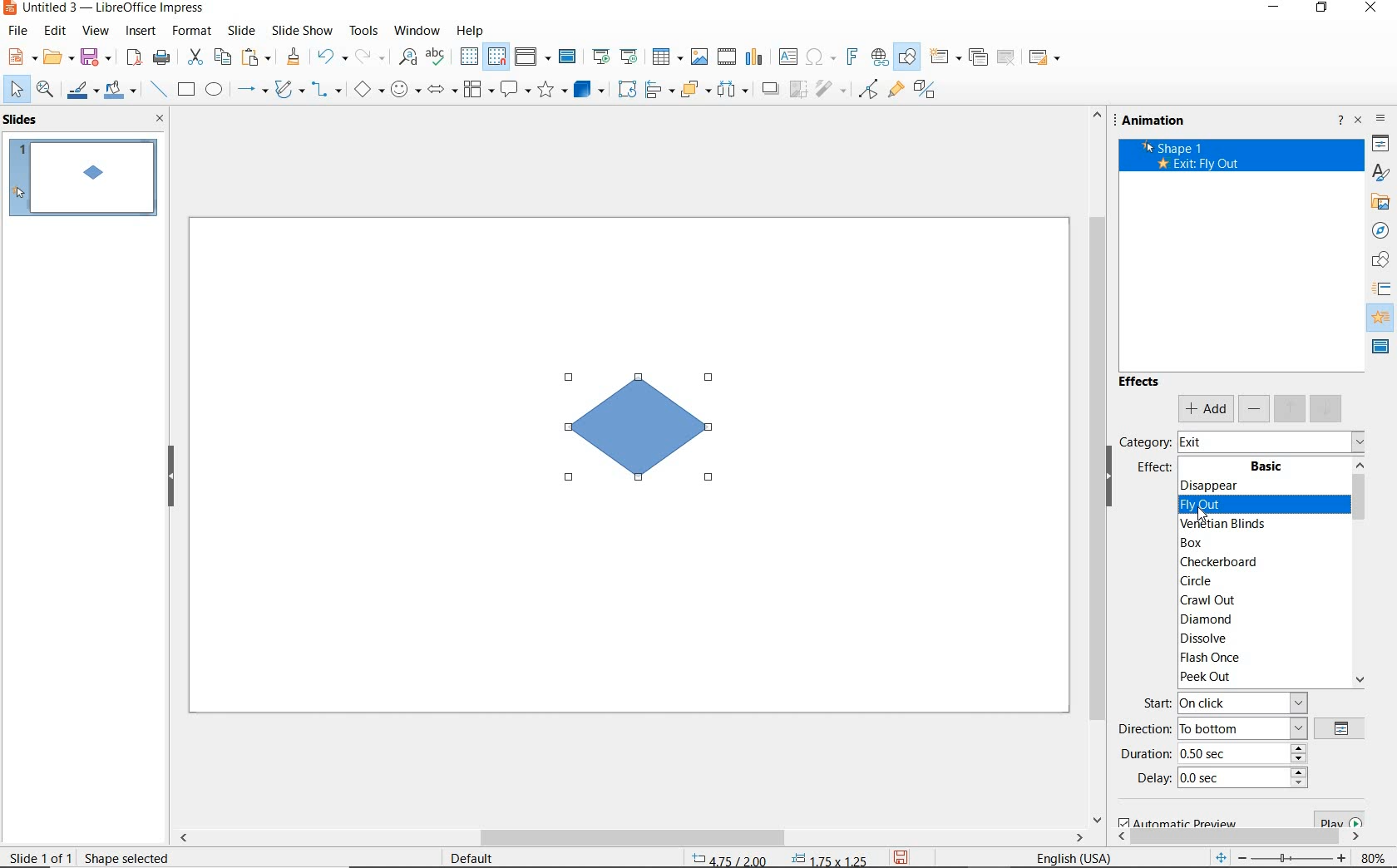 The width and height of the screenshot is (1397, 868). I want to click on insert hyperlink, so click(880, 60).